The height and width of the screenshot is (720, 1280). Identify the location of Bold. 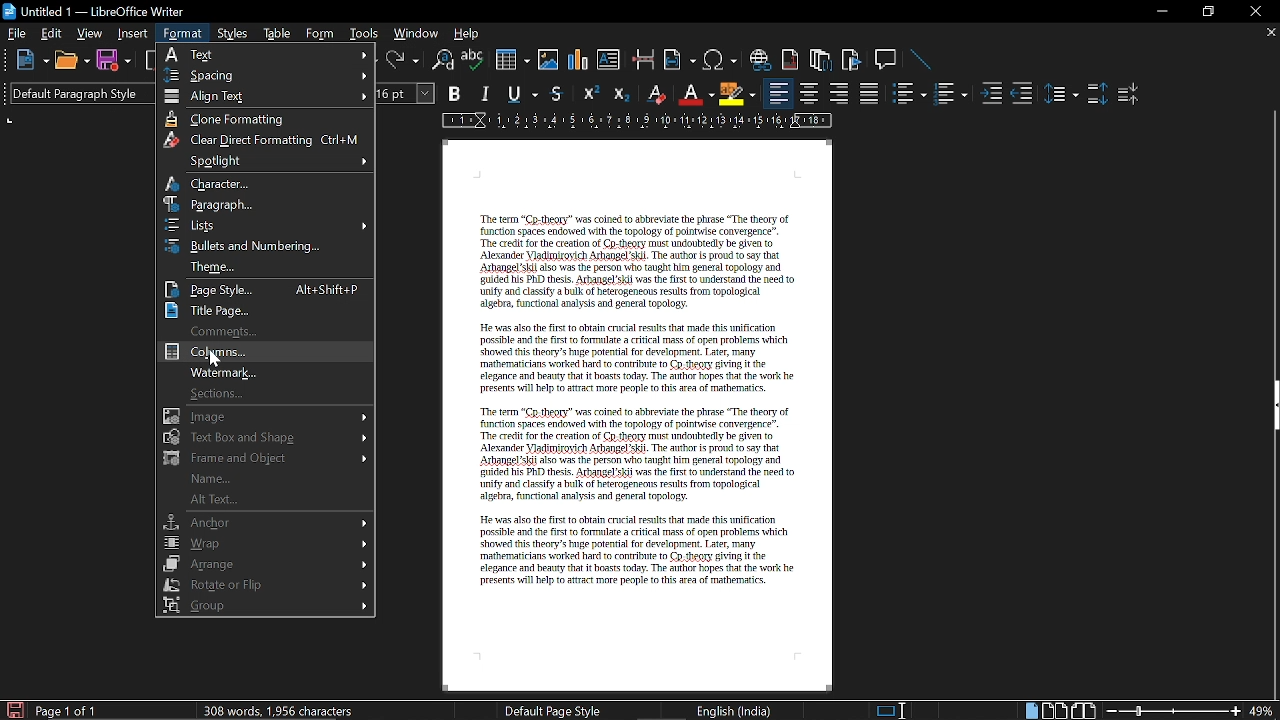
(456, 93).